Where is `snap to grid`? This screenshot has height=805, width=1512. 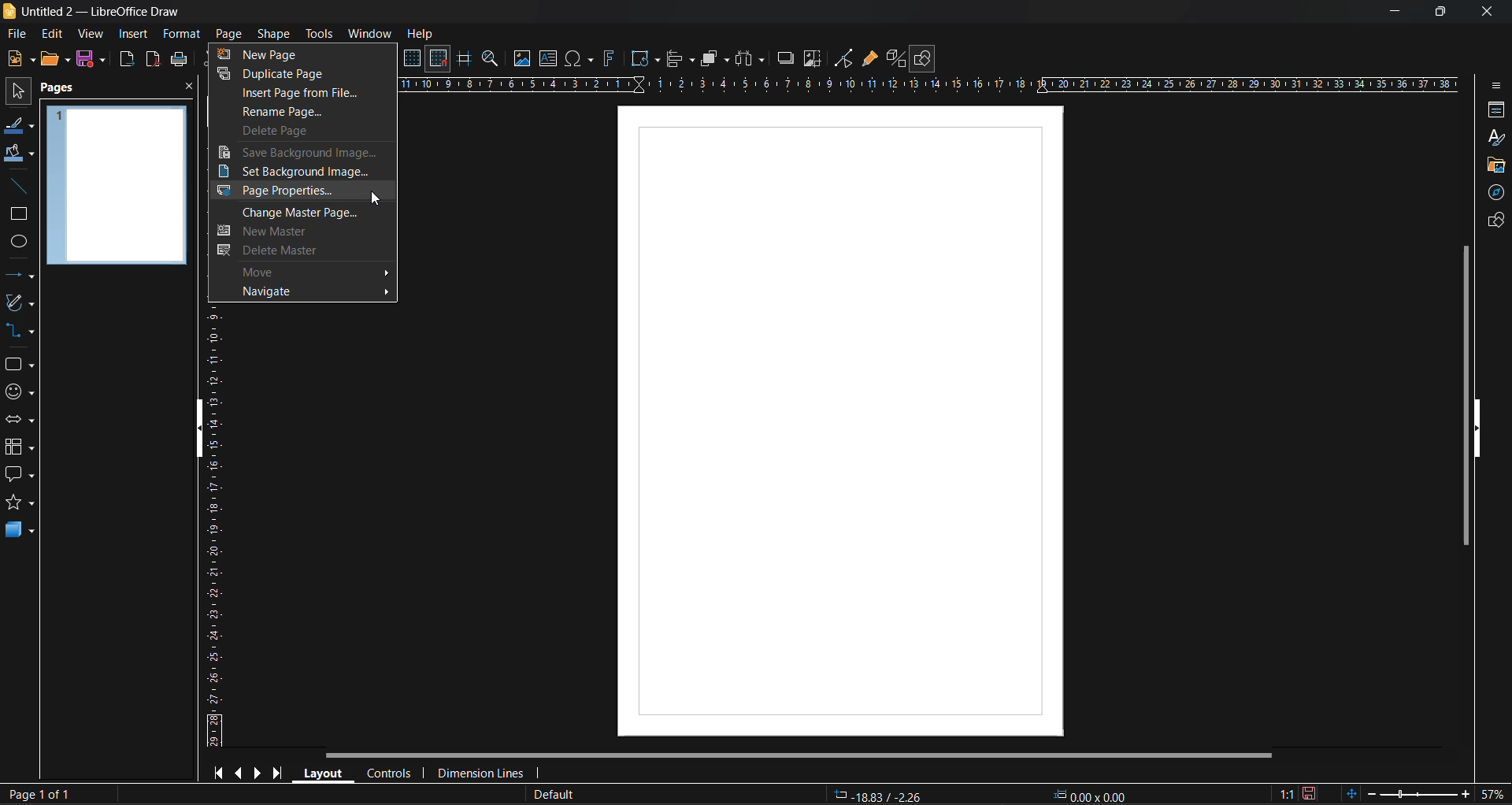
snap to grid is located at coordinates (438, 58).